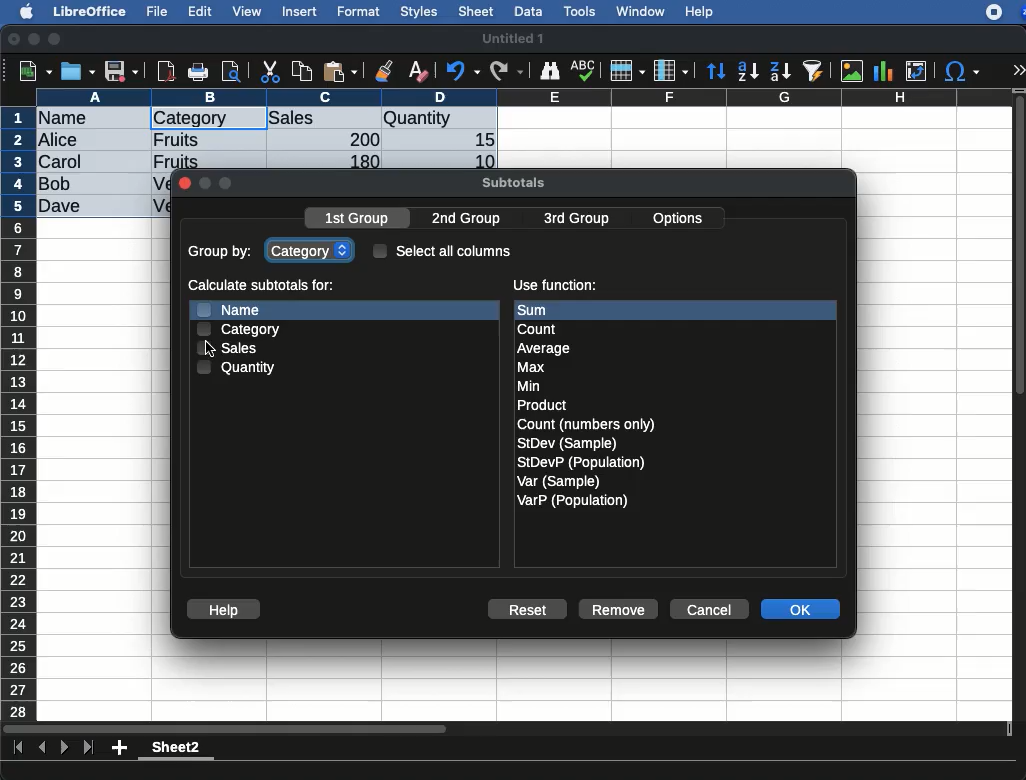 The width and height of the screenshot is (1026, 780). What do you see at coordinates (60, 141) in the screenshot?
I see `Alice` at bounding box center [60, 141].